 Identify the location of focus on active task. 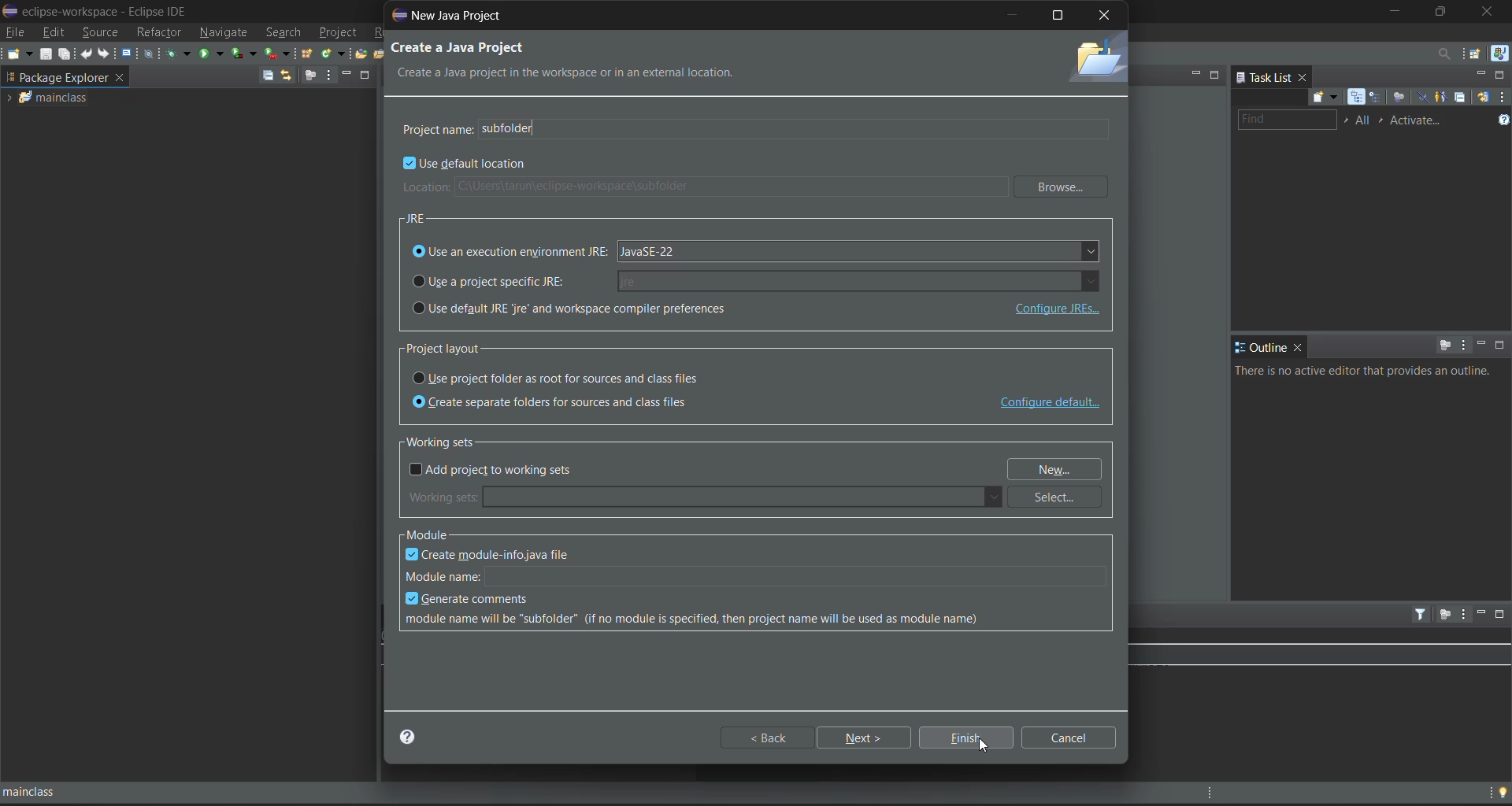
(1443, 615).